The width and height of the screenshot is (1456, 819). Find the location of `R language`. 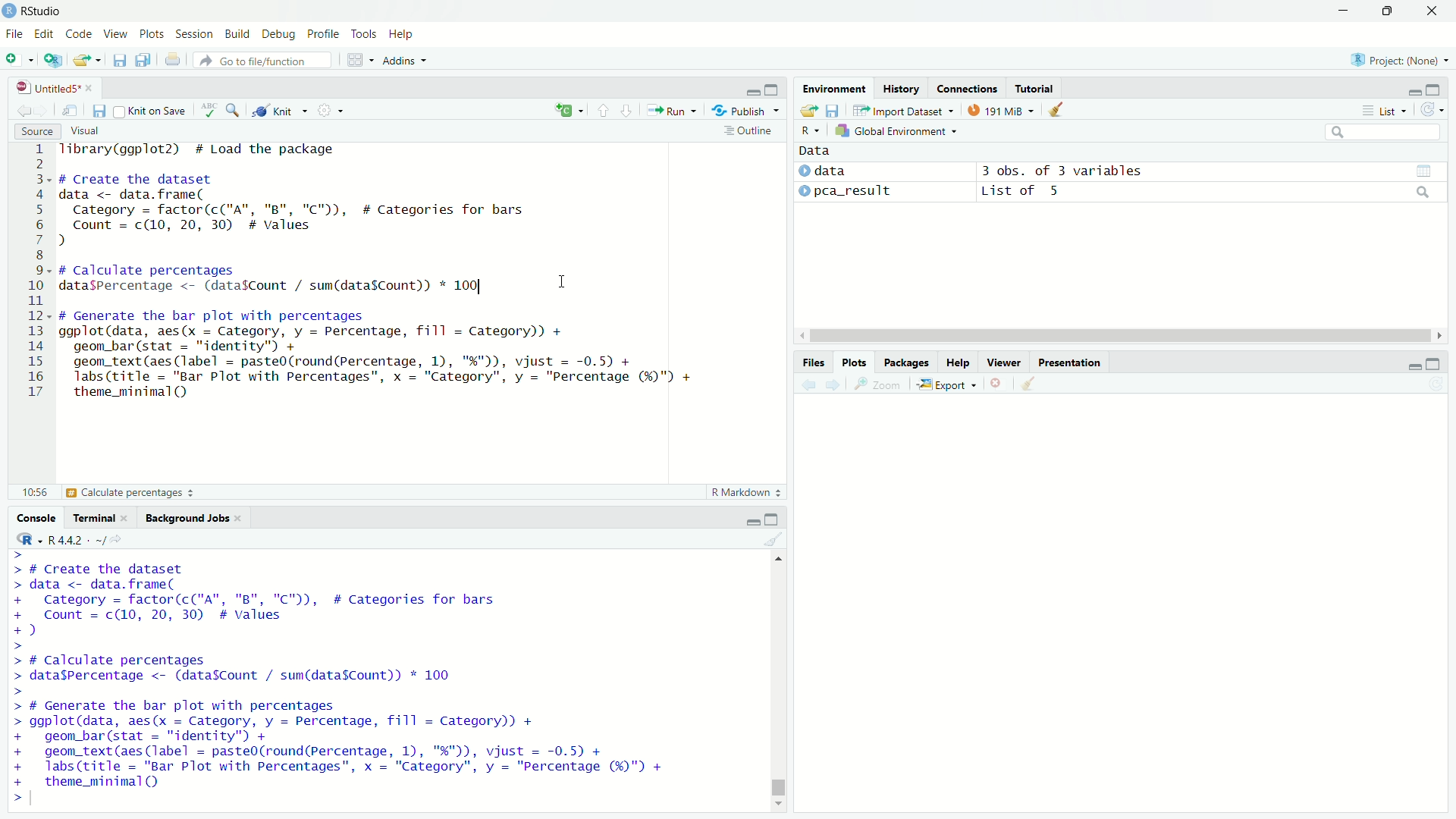

R language is located at coordinates (27, 538).